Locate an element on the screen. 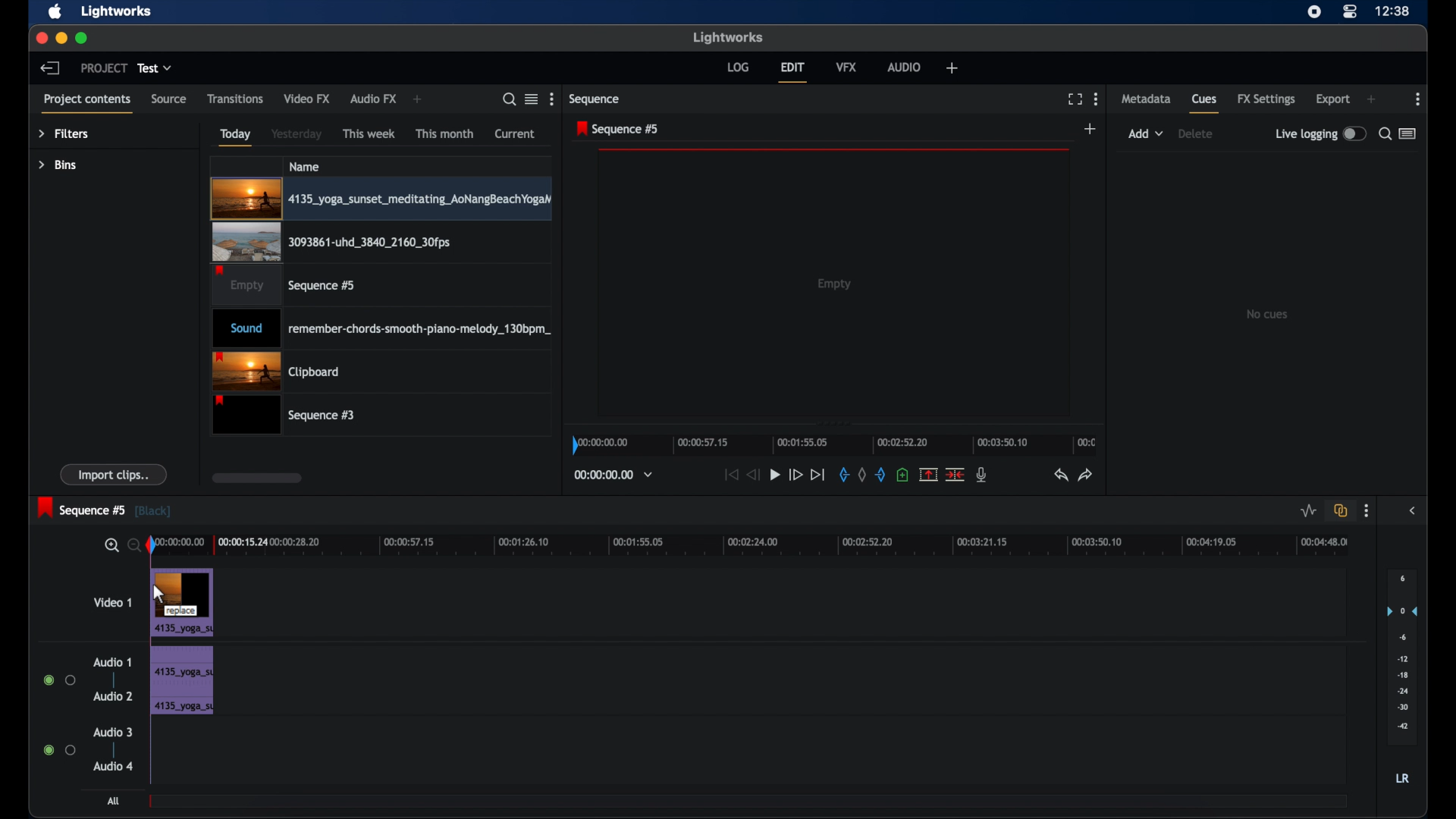 This screenshot has width=1456, height=819. audio fx is located at coordinates (374, 99).